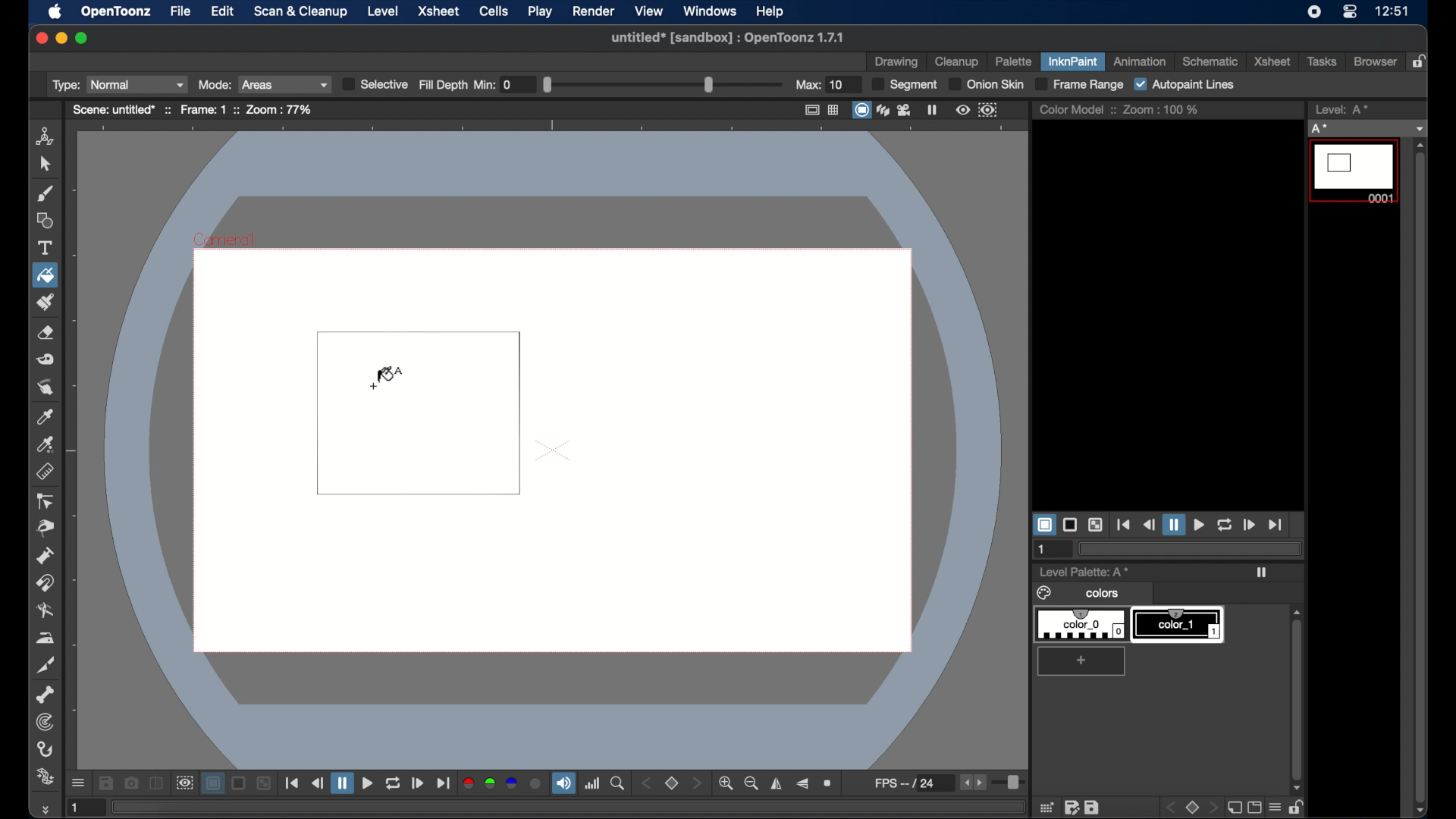 This screenshot has height=819, width=1456. What do you see at coordinates (593, 11) in the screenshot?
I see `render` at bounding box center [593, 11].